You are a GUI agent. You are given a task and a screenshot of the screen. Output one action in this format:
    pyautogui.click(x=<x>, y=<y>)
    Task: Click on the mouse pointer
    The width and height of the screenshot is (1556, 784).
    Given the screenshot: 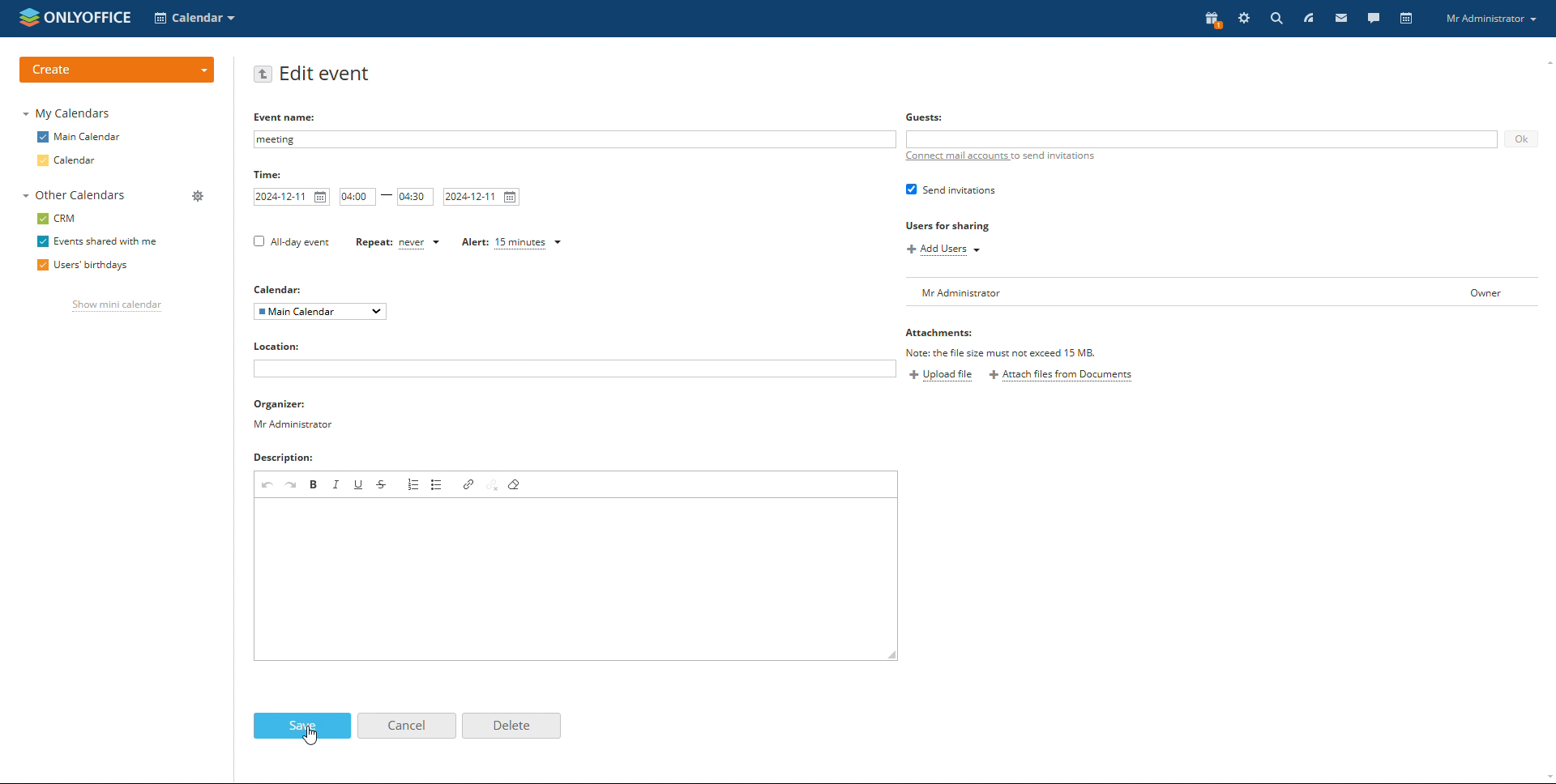 What is the action you would take?
    pyautogui.click(x=308, y=733)
    